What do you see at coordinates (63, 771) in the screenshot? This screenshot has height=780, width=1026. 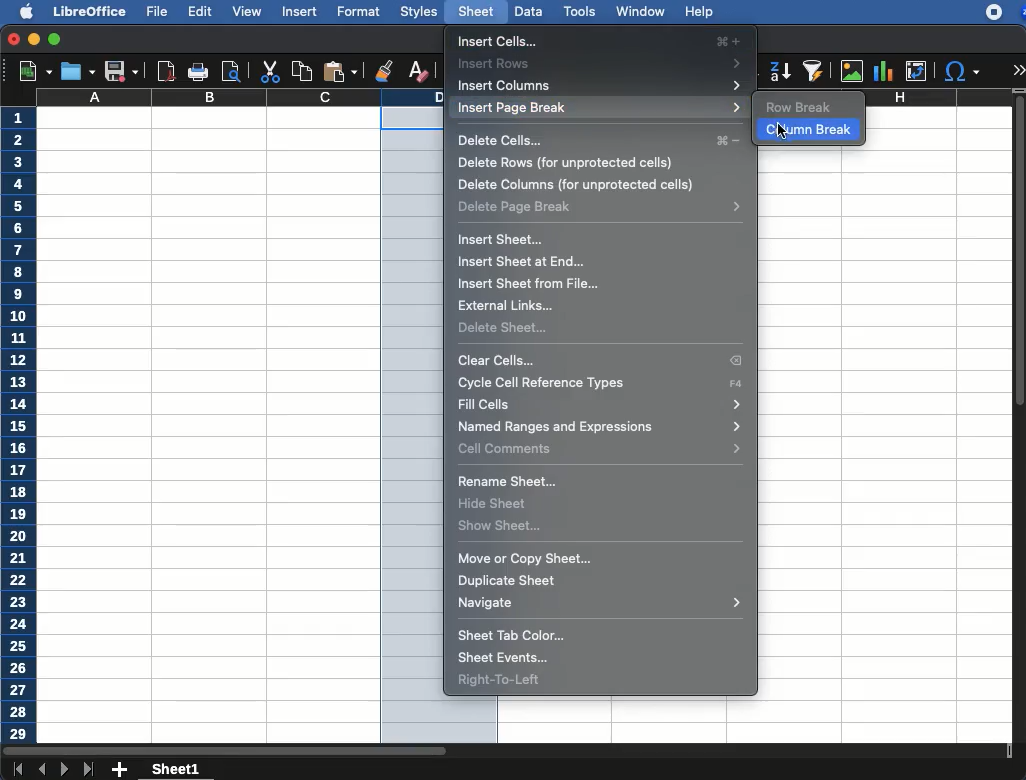 I see `next sheet` at bounding box center [63, 771].